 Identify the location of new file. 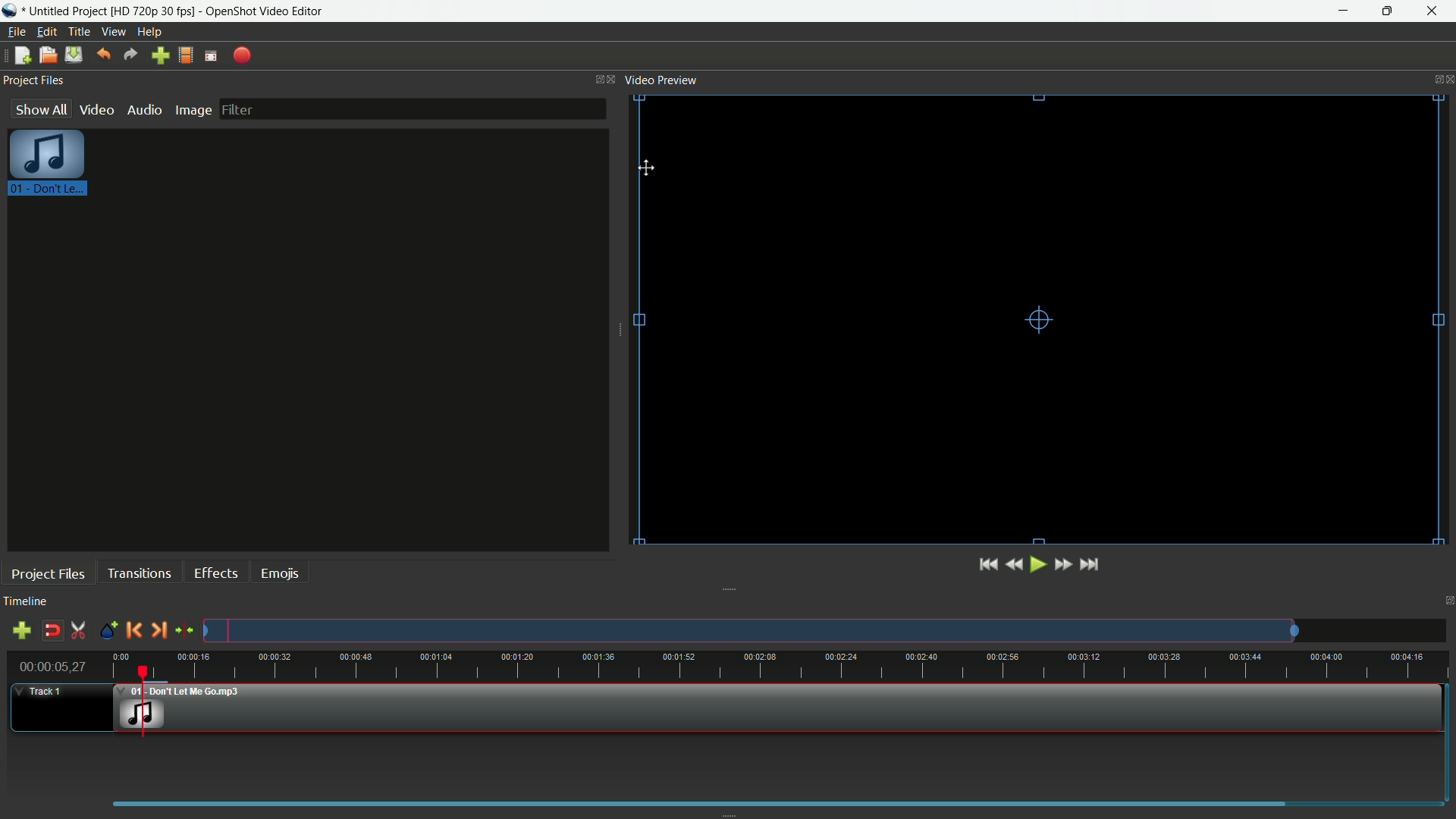
(22, 55).